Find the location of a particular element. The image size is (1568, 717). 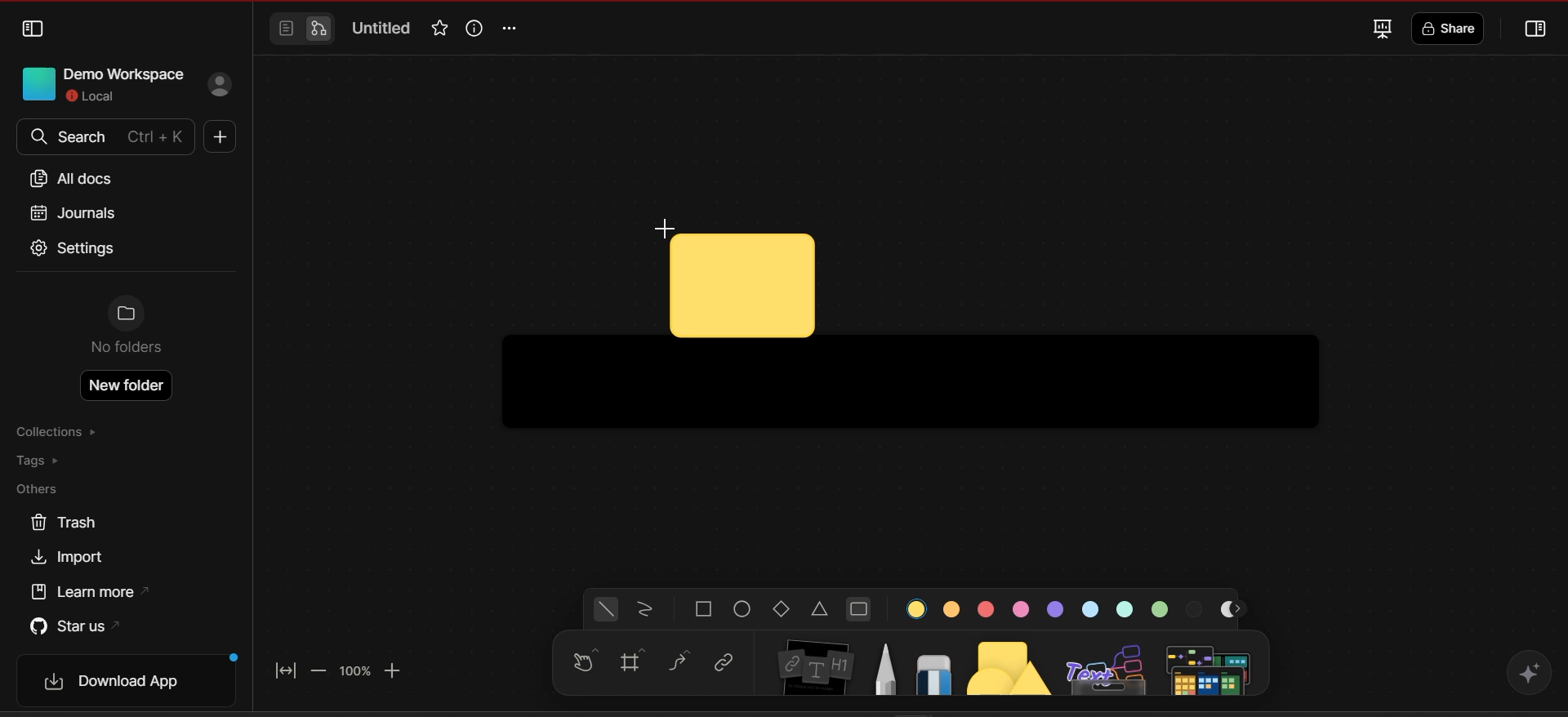

others is located at coordinates (45, 490).